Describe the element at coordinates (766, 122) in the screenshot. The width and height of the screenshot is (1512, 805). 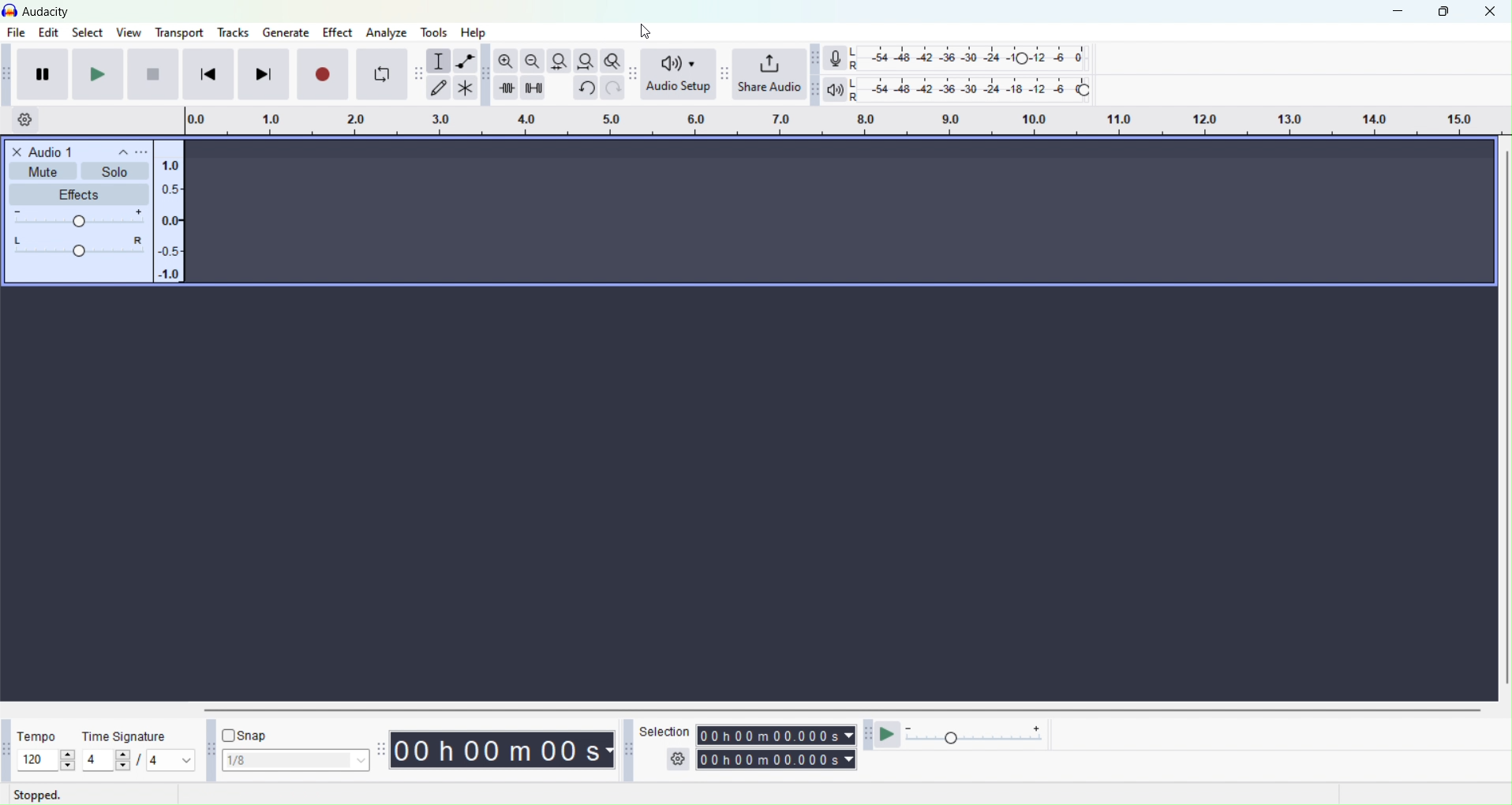
I see `Click and drag to define a lopping region` at that location.